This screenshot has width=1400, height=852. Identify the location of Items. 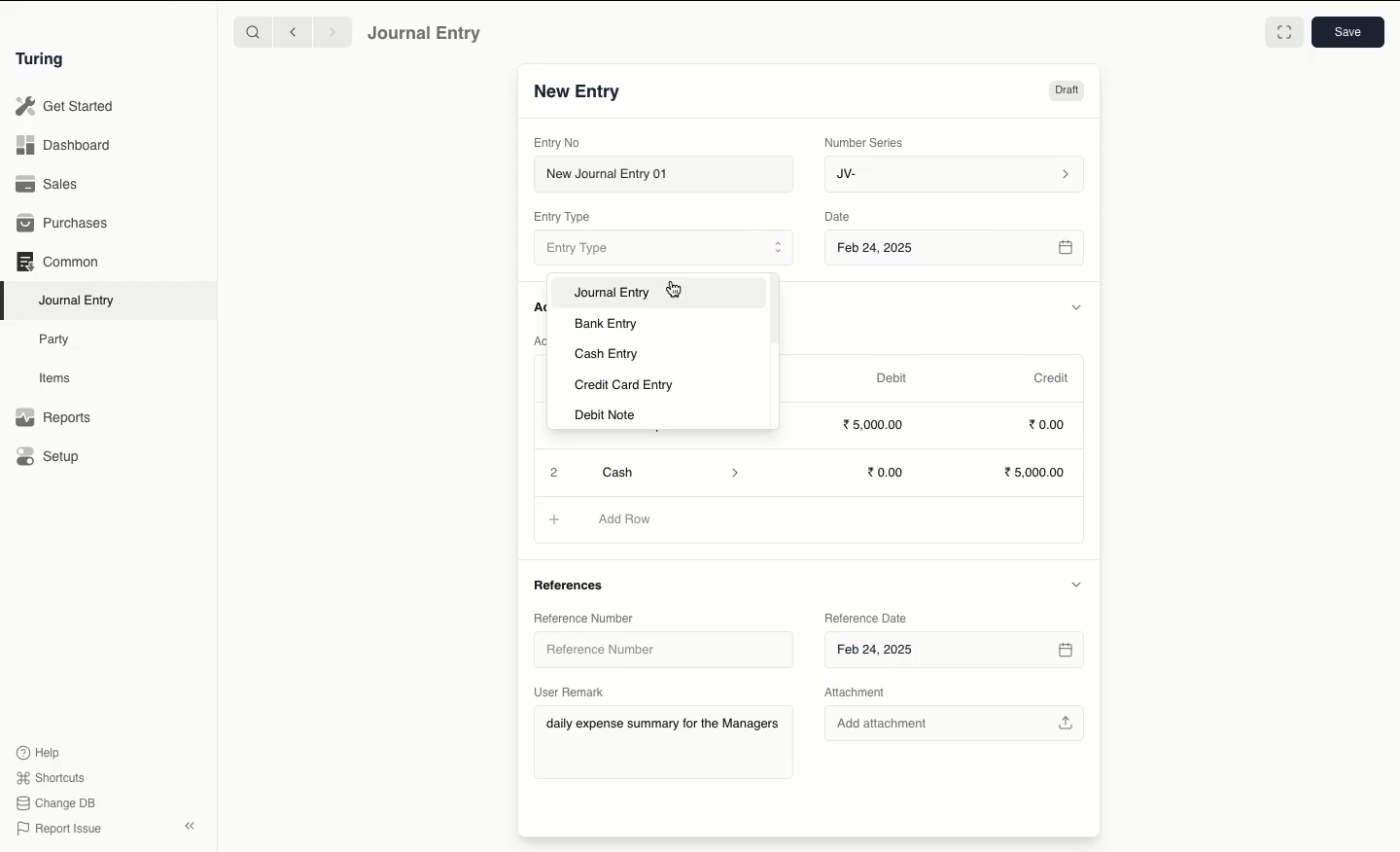
(55, 377).